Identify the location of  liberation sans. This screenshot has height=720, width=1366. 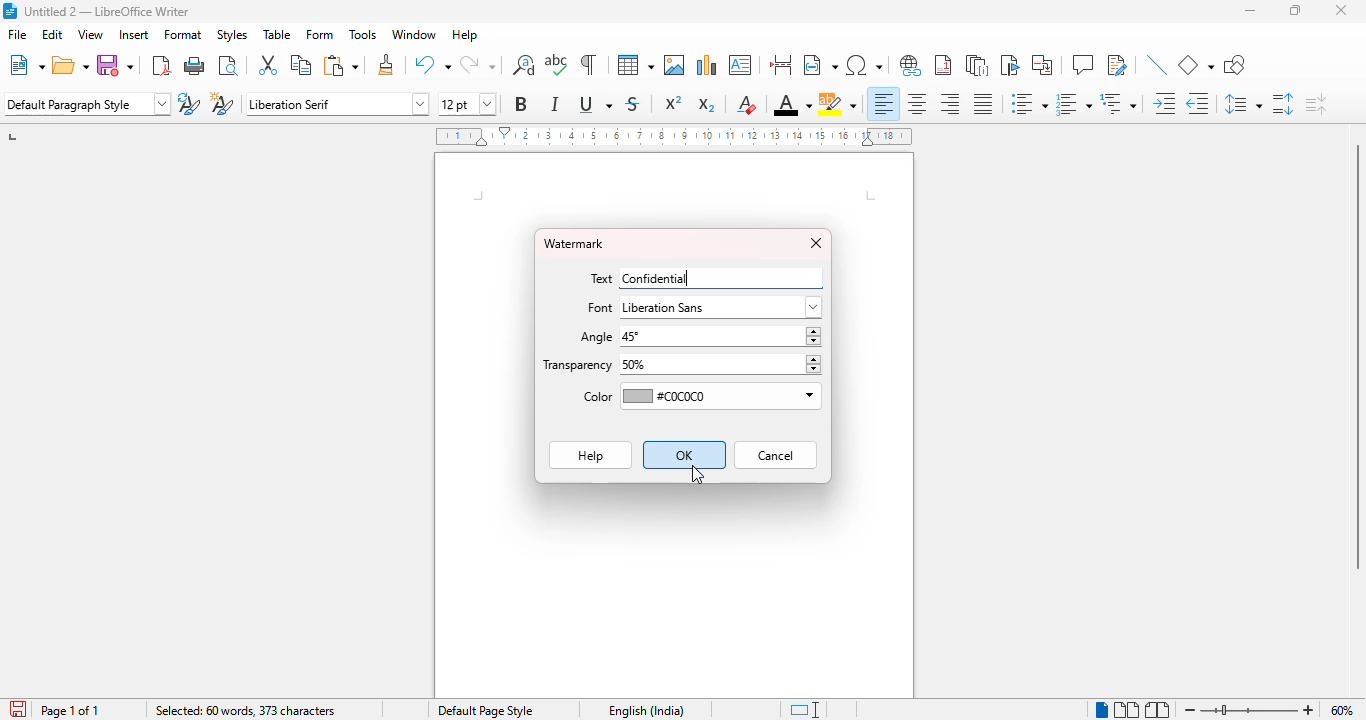
(721, 307).